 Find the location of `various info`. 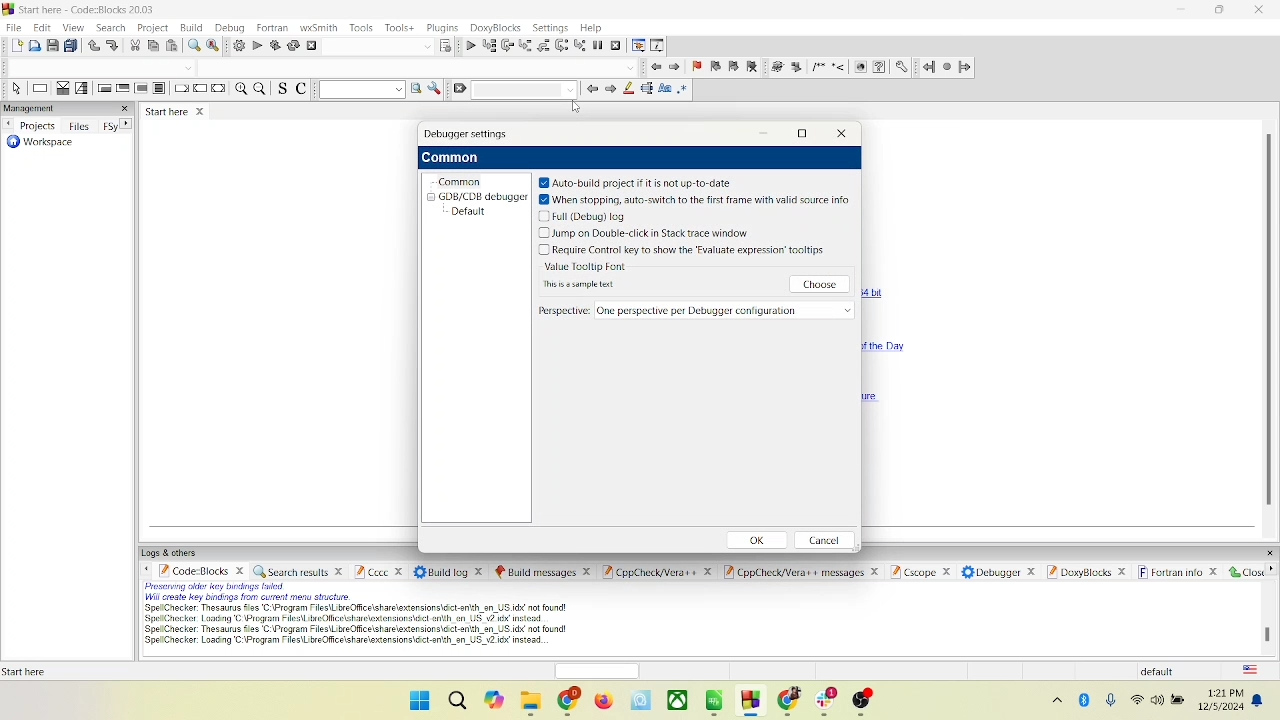

various info is located at coordinates (658, 45).